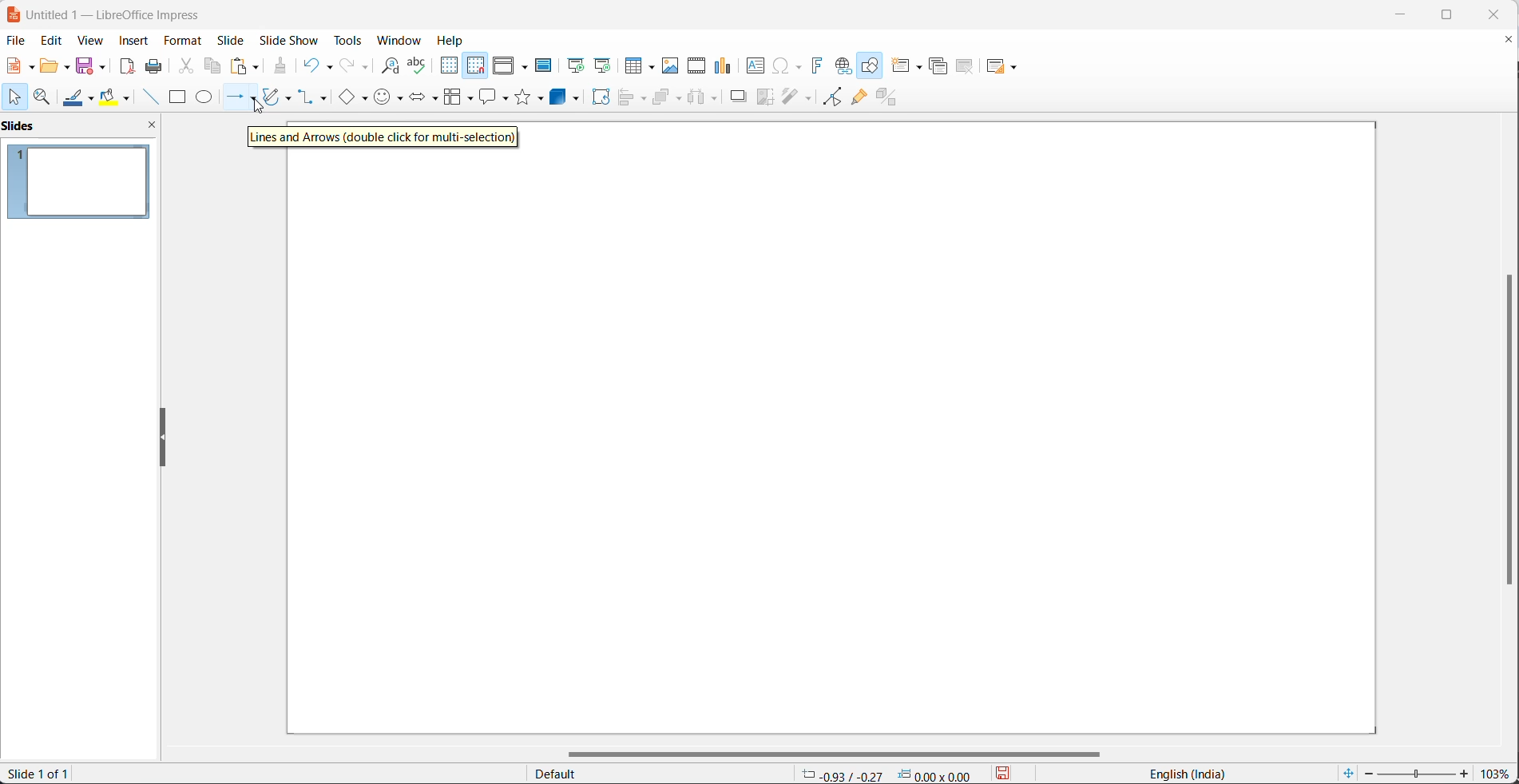 This screenshot has height=784, width=1519. What do you see at coordinates (1180, 774) in the screenshot?
I see `English(India)` at bounding box center [1180, 774].